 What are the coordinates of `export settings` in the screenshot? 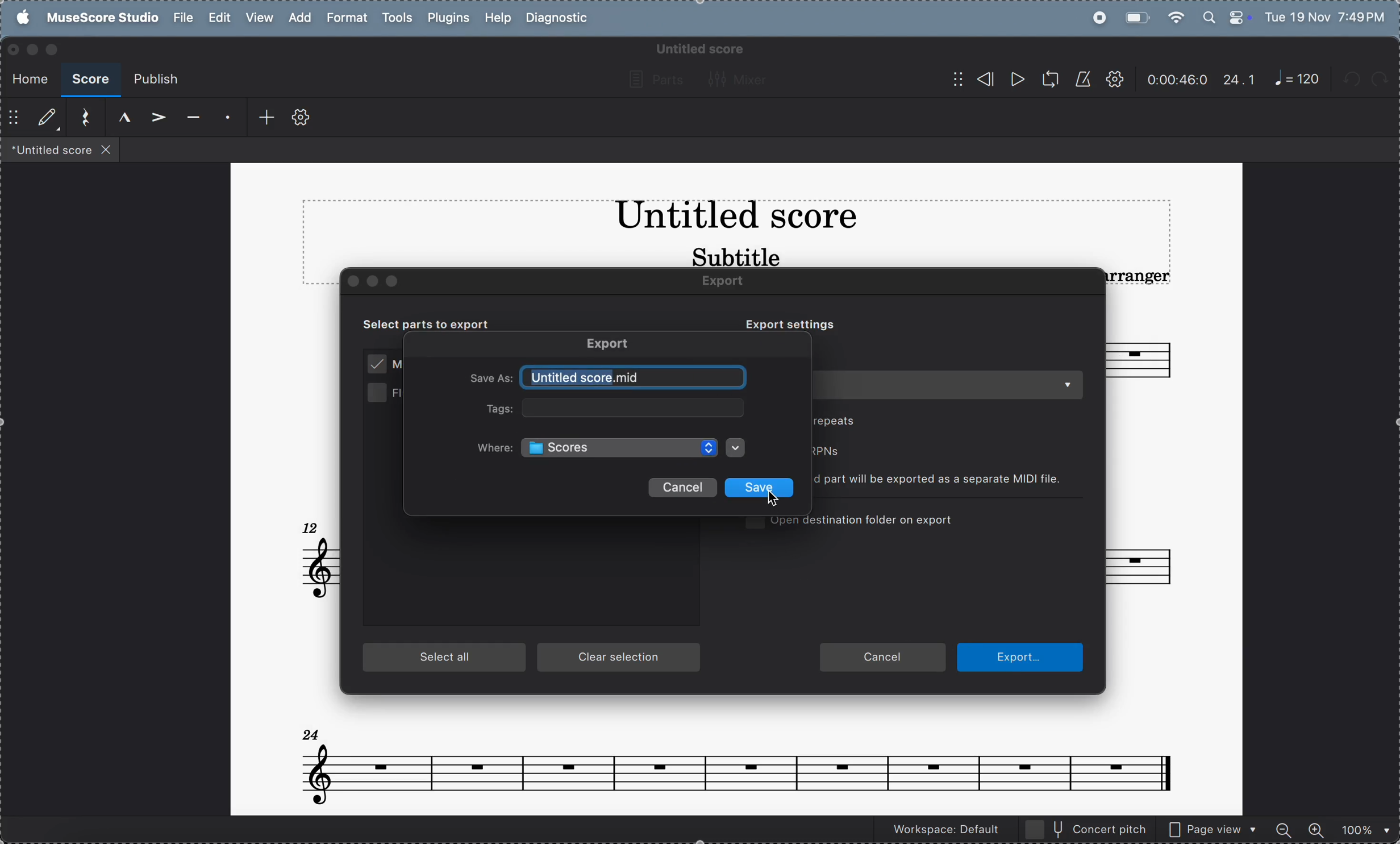 It's located at (784, 323).